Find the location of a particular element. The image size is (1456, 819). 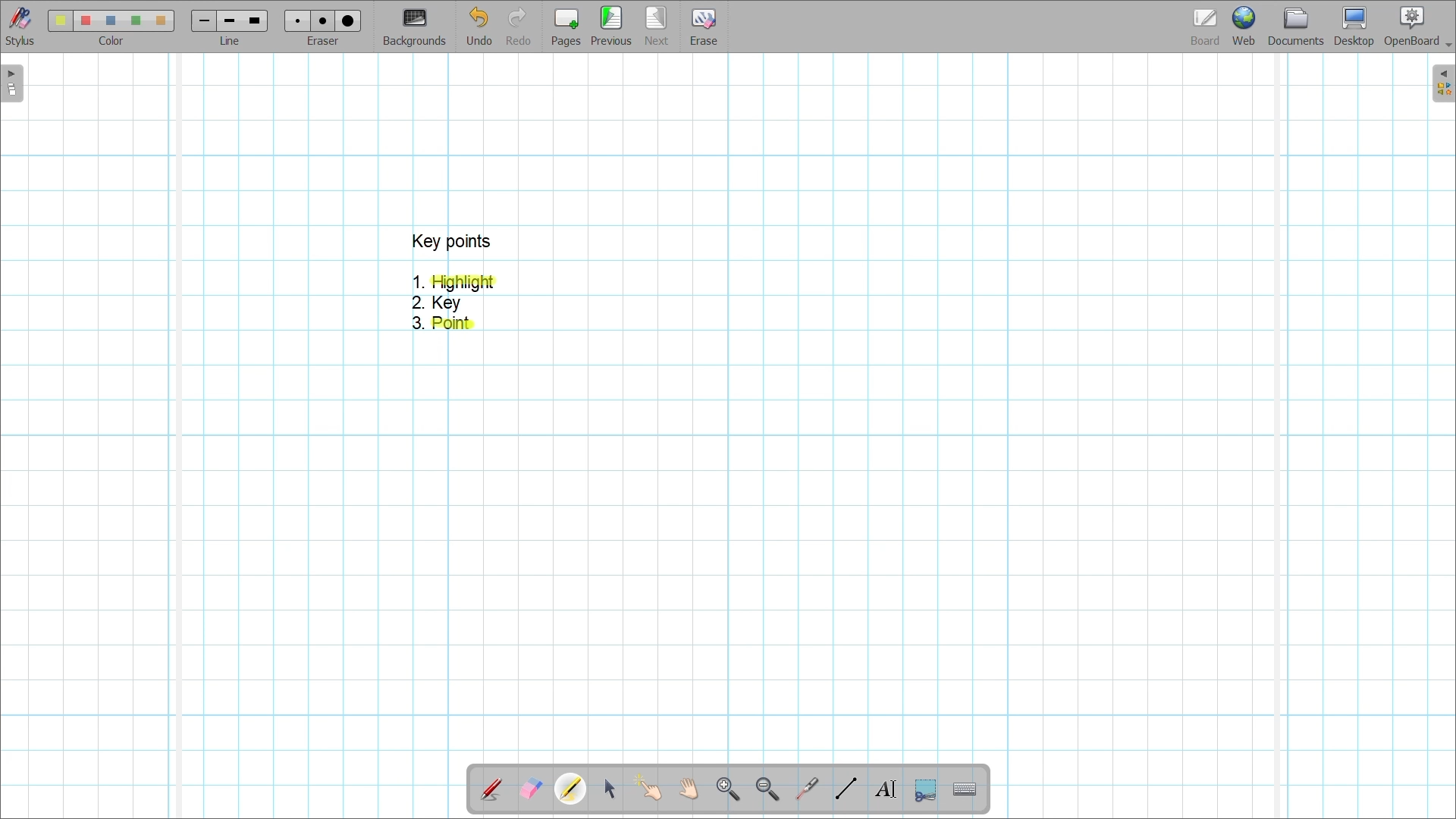

Desktop is located at coordinates (1354, 27).